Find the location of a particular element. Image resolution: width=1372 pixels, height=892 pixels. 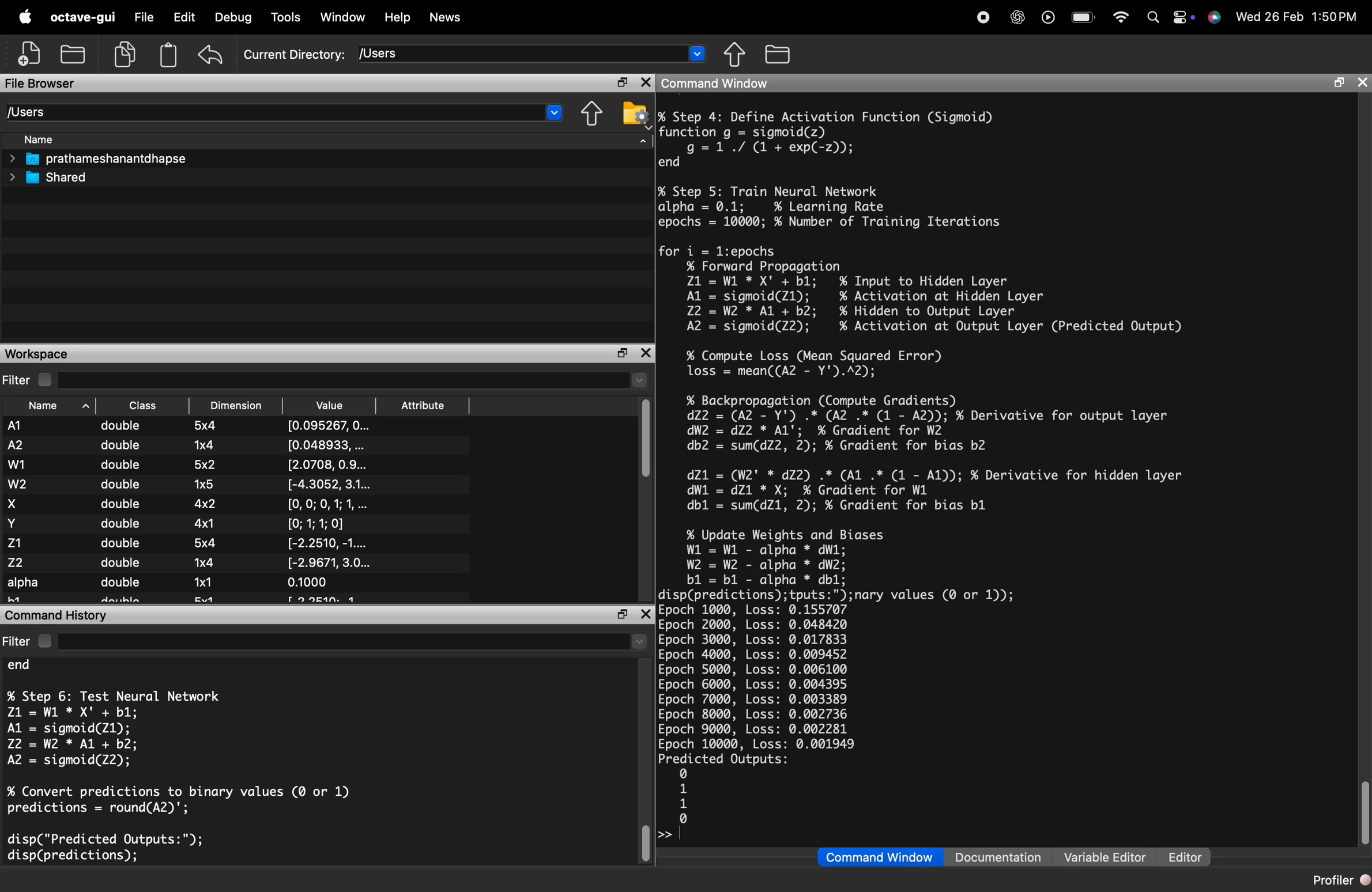

A2 is located at coordinates (14, 445).